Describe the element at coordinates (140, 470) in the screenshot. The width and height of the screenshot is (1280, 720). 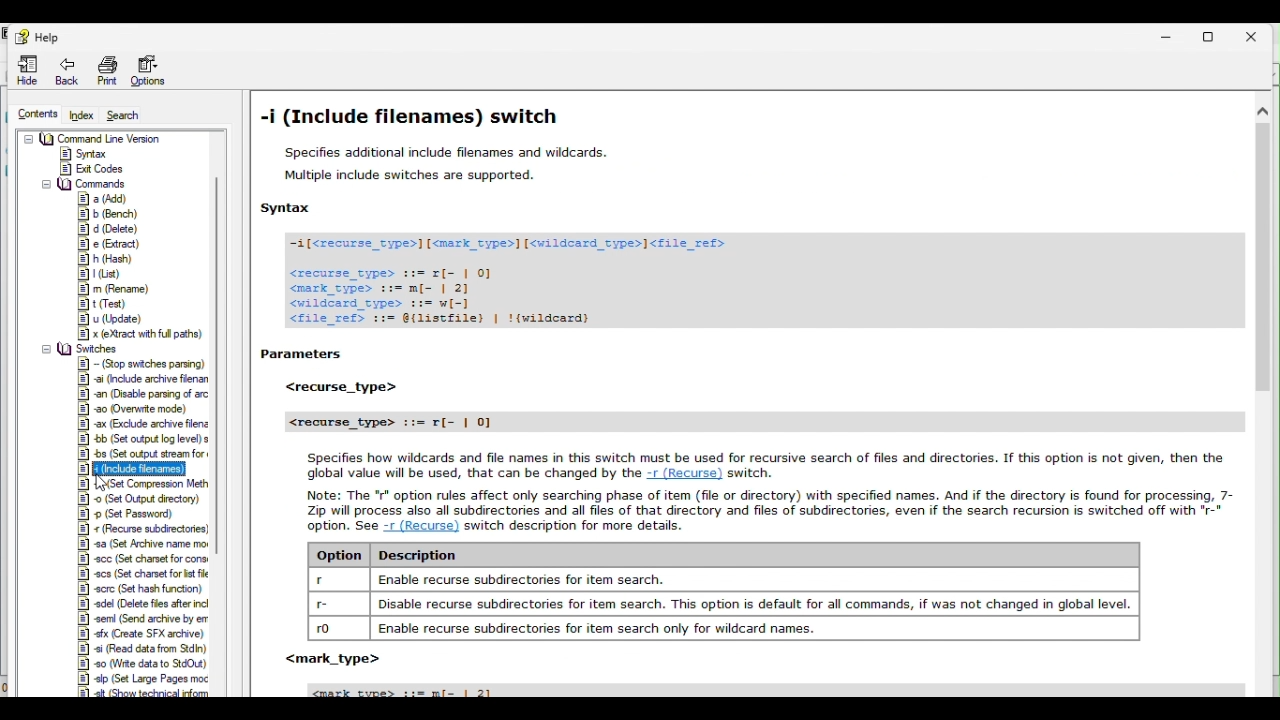
I see `Include file names` at that location.